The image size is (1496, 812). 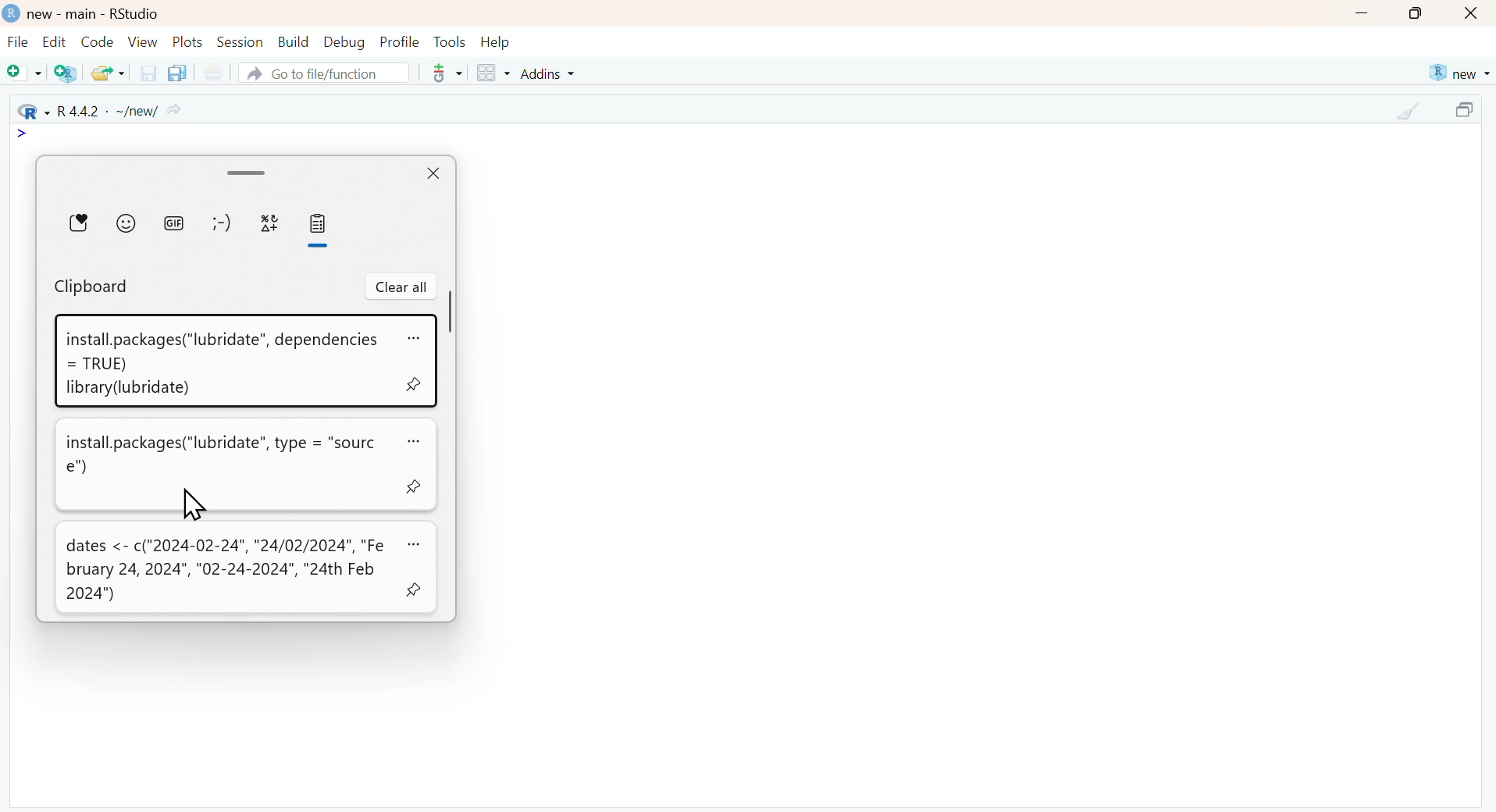 What do you see at coordinates (143, 41) in the screenshot?
I see `View` at bounding box center [143, 41].